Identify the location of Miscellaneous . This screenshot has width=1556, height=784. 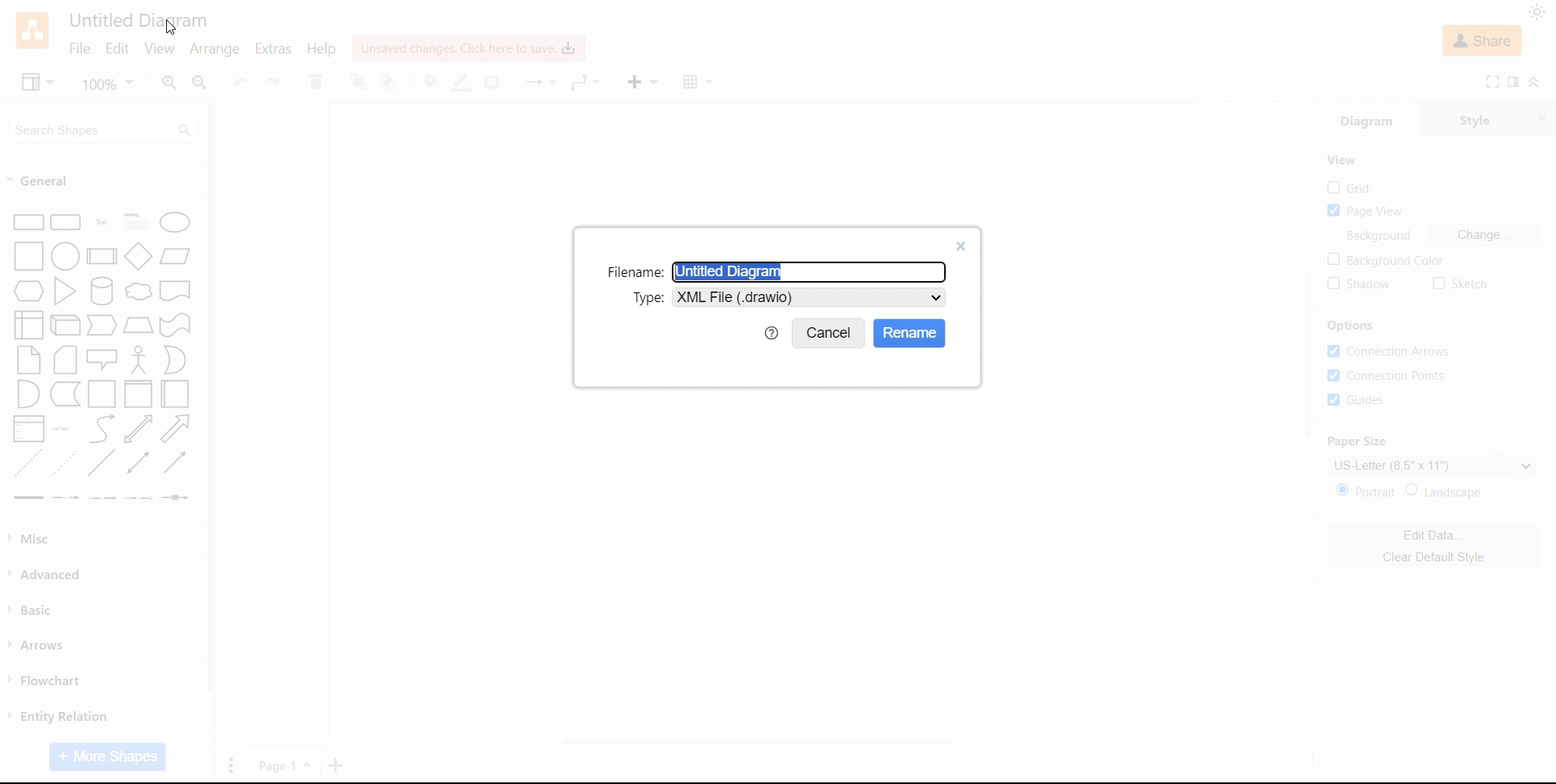
(33, 539).